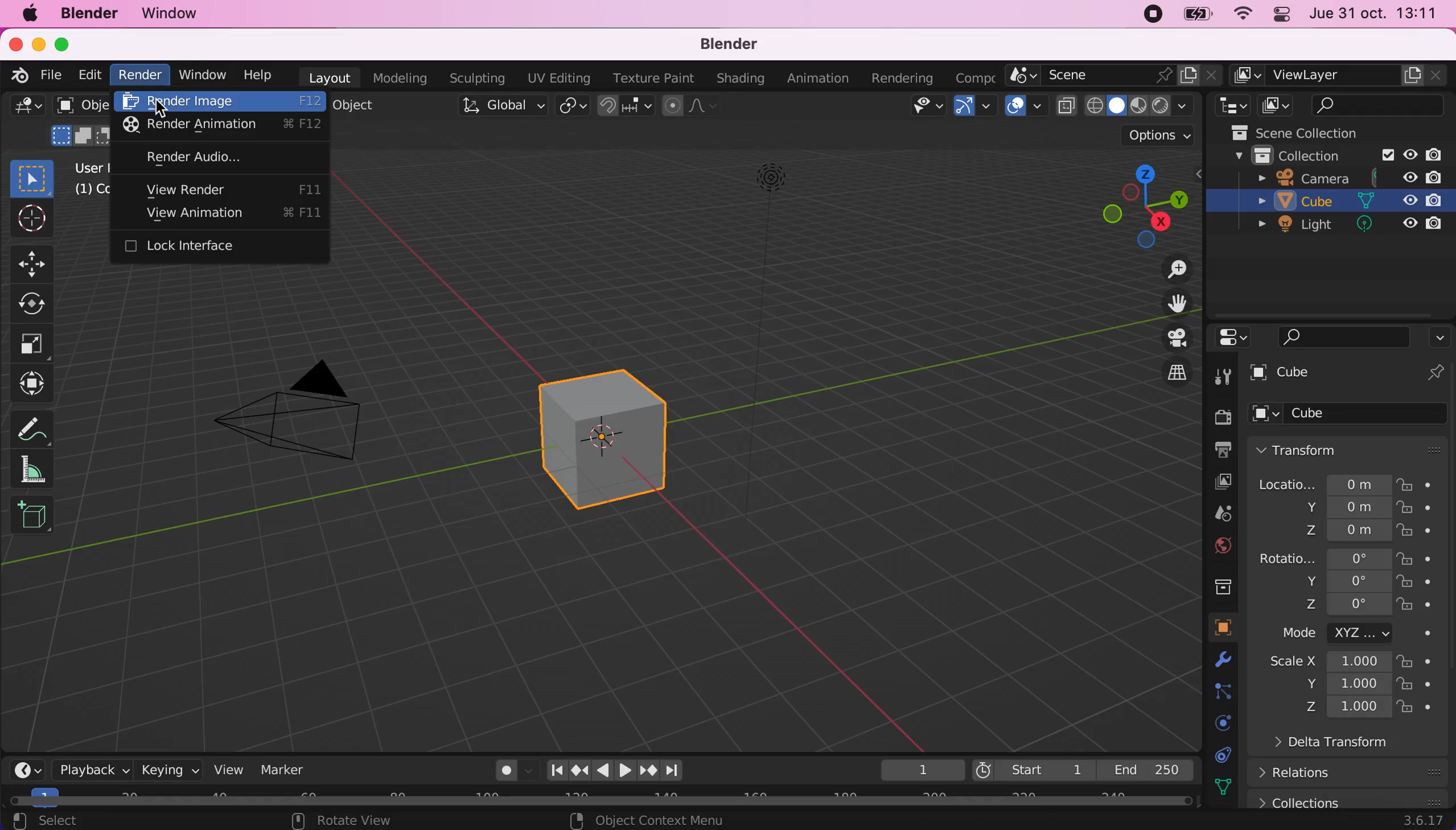 The width and height of the screenshot is (1456, 830). What do you see at coordinates (1166, 372) in the screenshot?
I see `switch the current view` at bounding box center [1166, 372].